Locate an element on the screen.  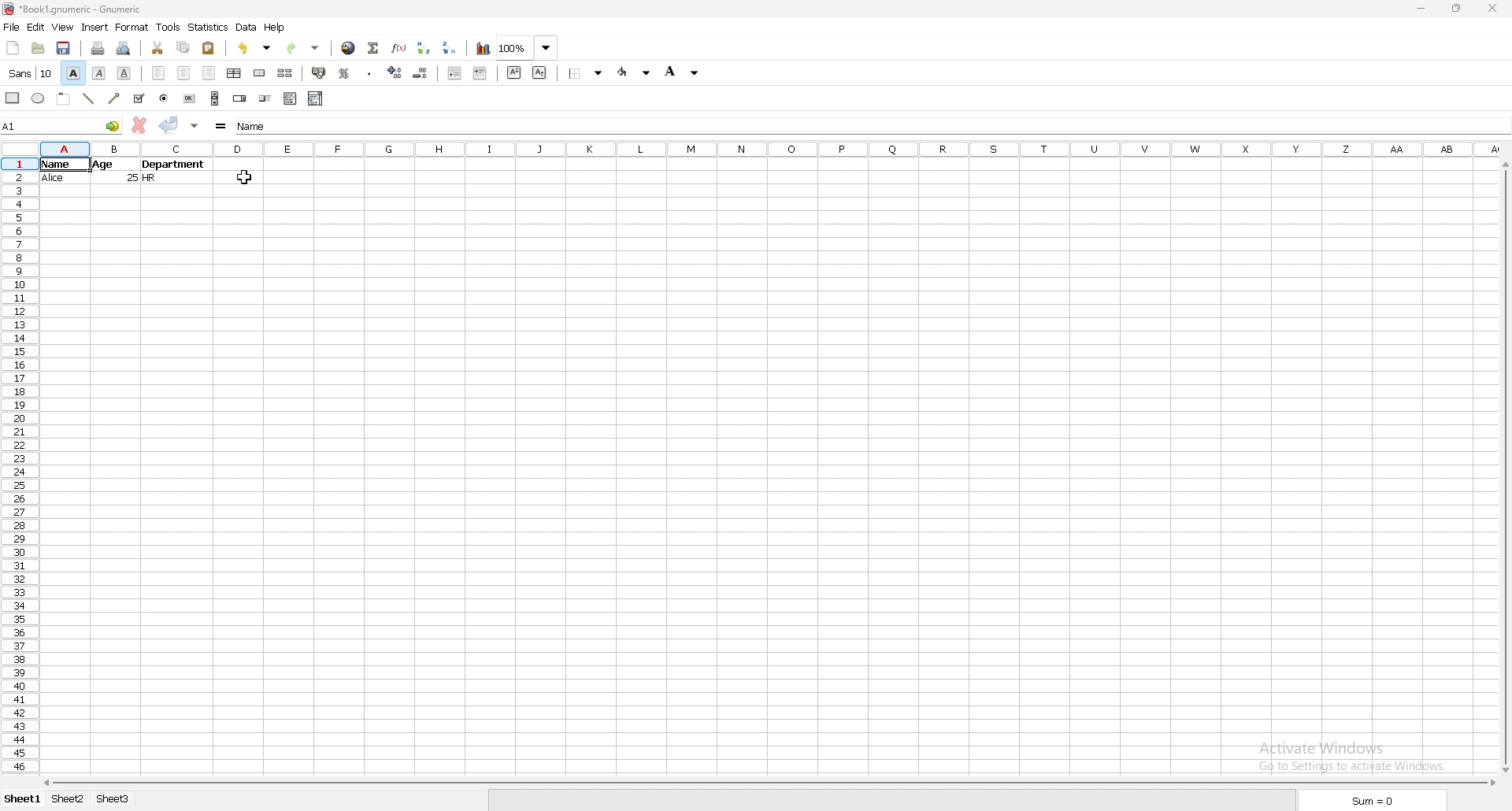
increase indent is located at coordinates (480, 72).